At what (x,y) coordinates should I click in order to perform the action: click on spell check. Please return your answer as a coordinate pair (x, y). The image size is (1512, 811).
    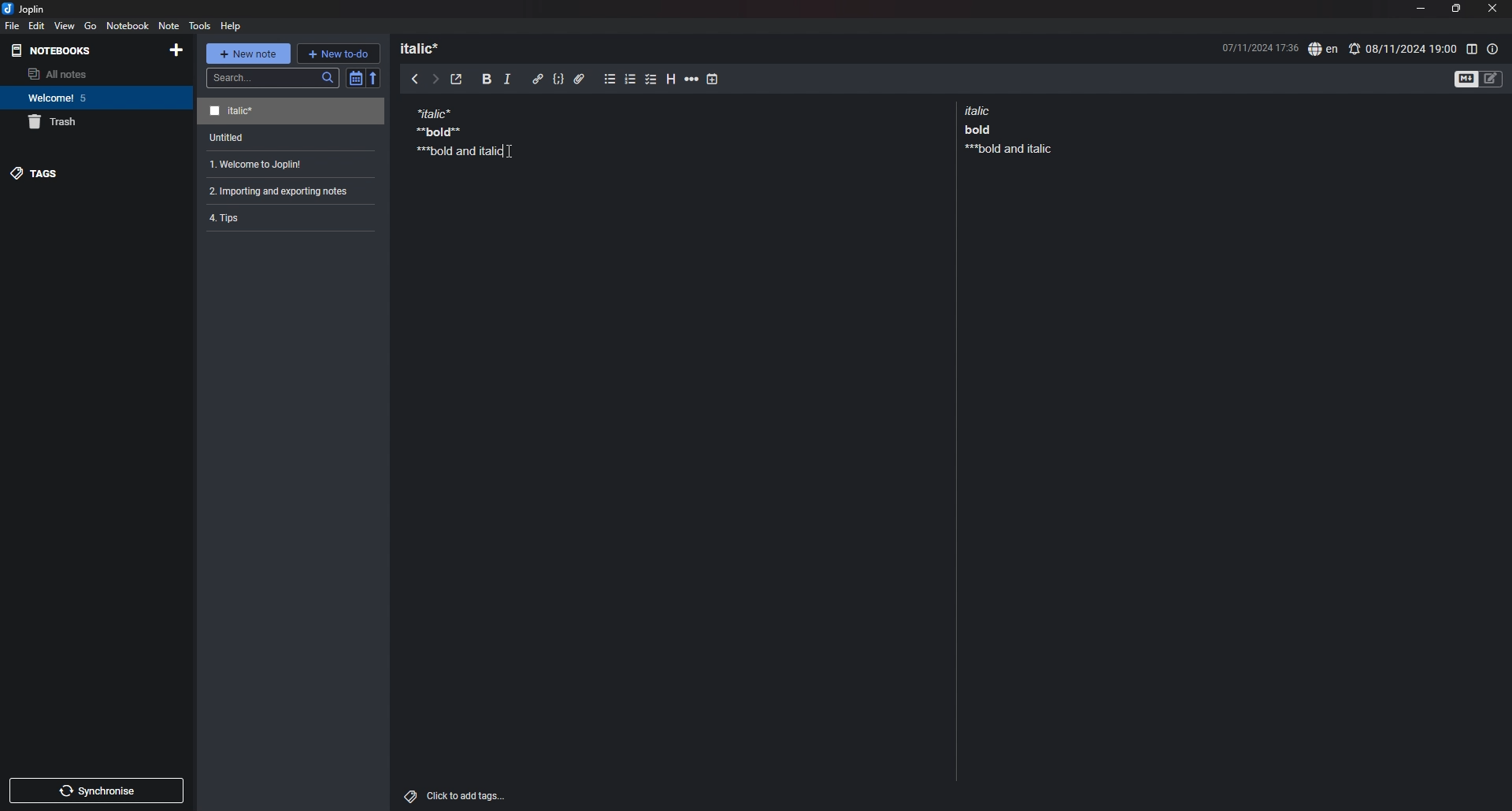
    Looking at the image, I should click on (1323, 50).